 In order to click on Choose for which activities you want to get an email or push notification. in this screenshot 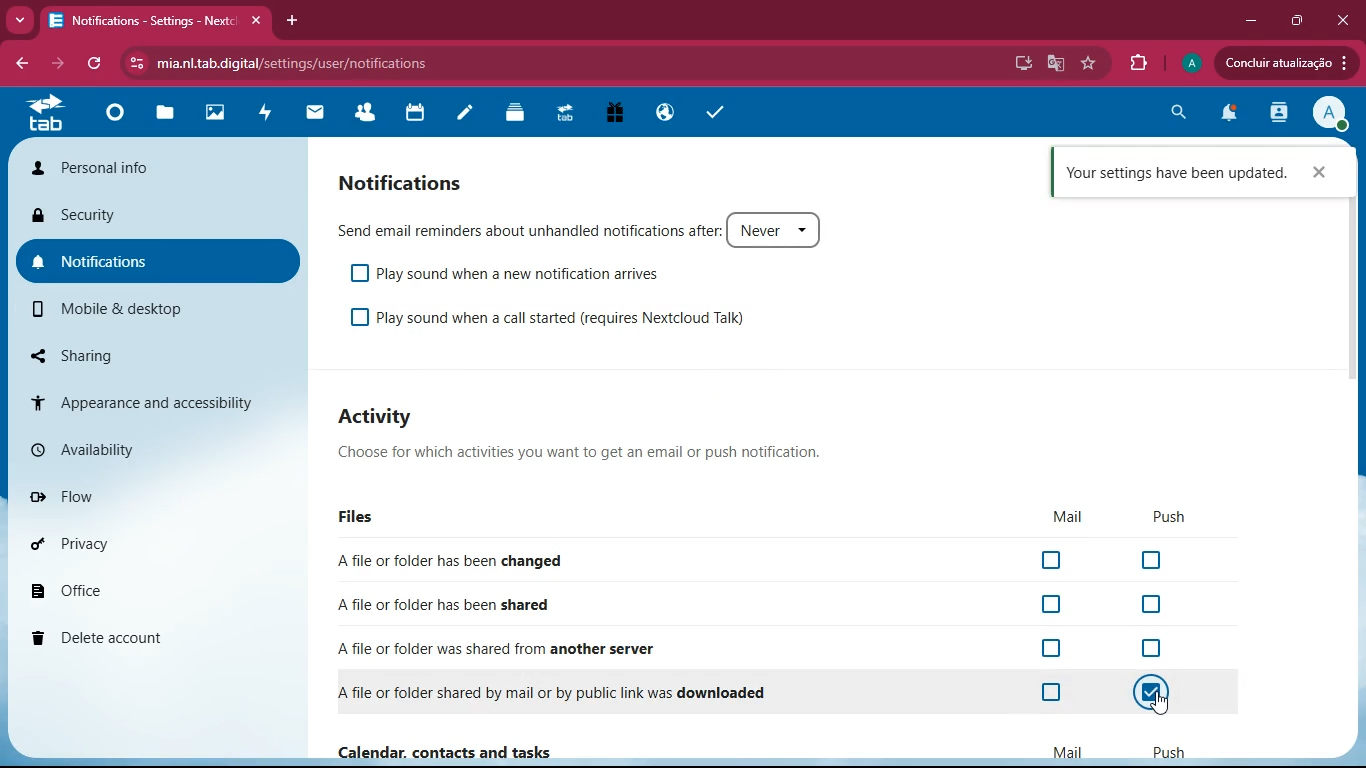, I will do `click(592, 454)`.